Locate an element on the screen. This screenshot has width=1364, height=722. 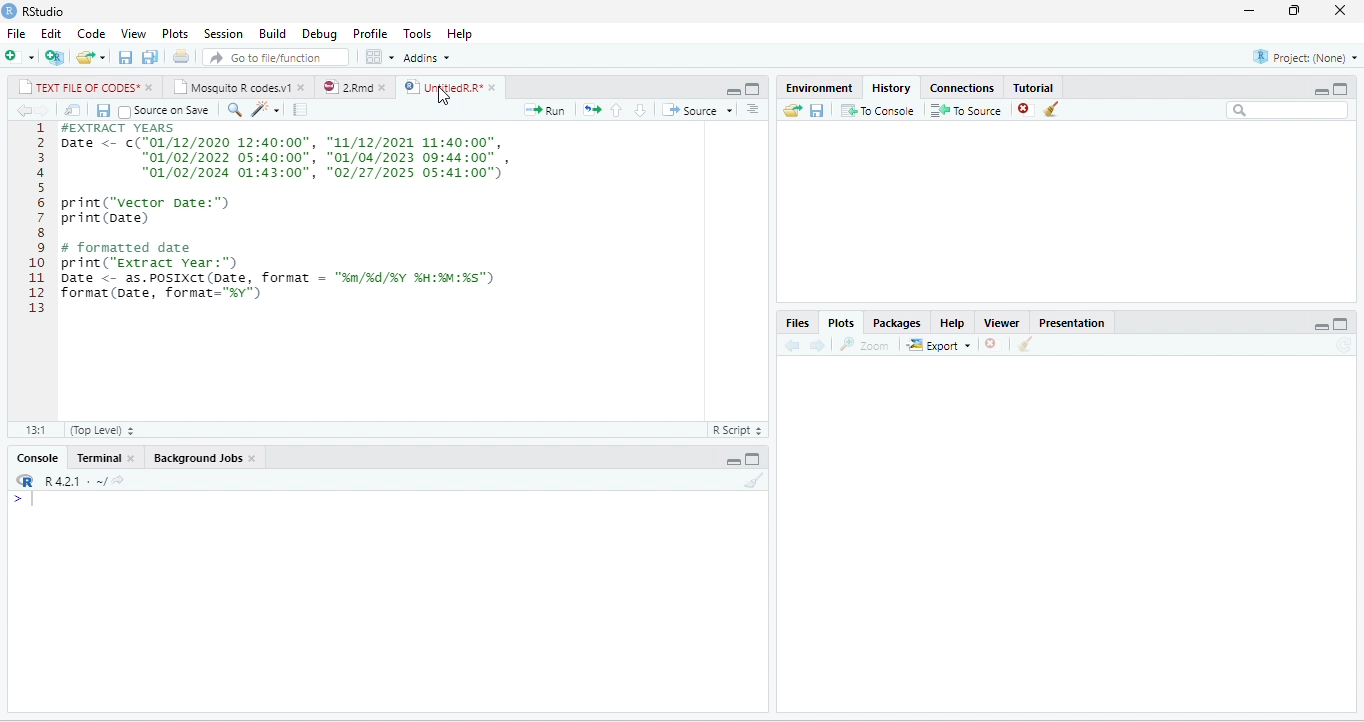
Code is located at coordinates (92, 34).